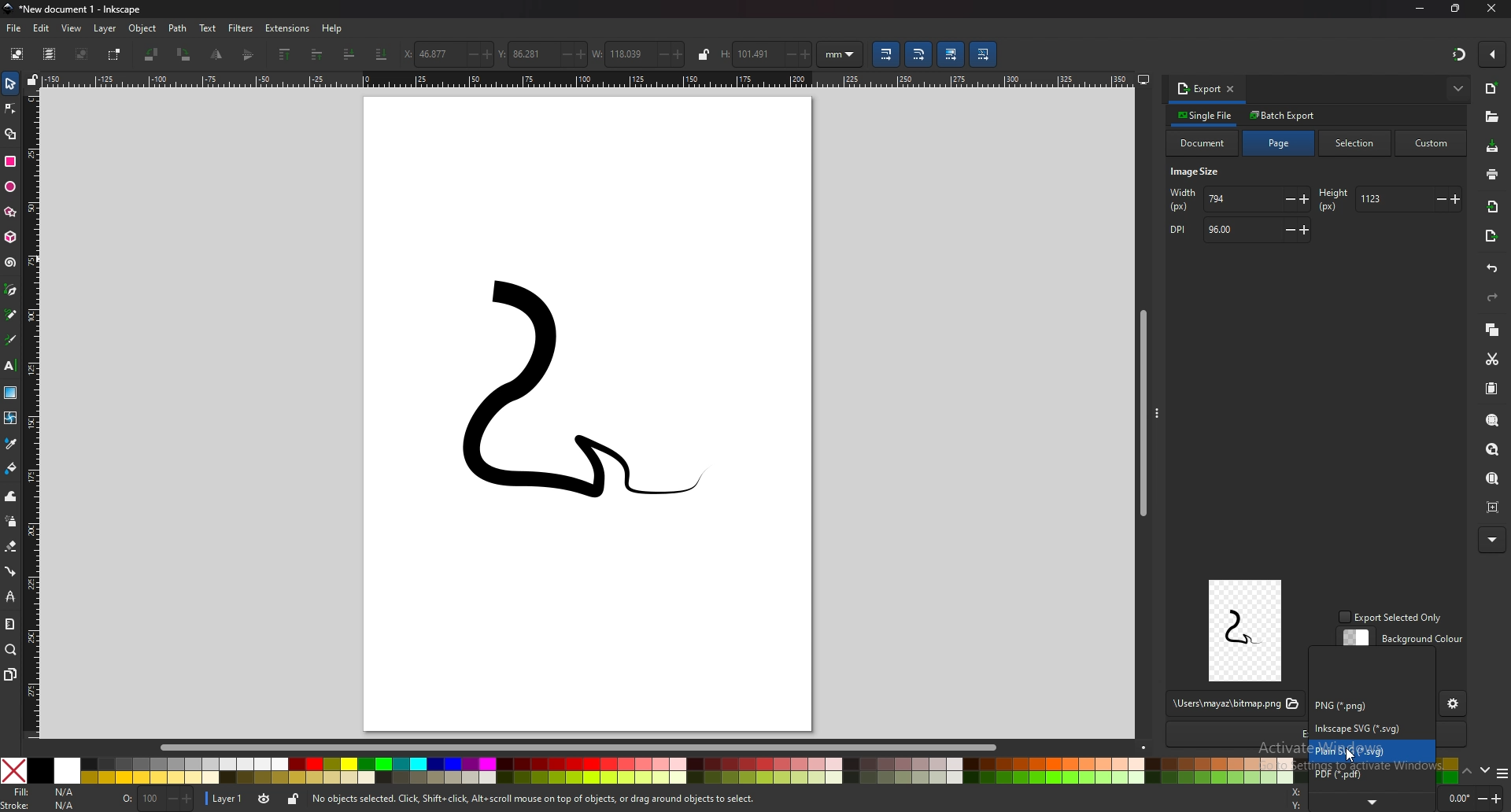 Image resolution: width=1511 pixels, height=812 pixels. What do you see at coordinates (1495, 450) in the screenshot?
I see `zoom drawing` at bounding box center [1495, 450].